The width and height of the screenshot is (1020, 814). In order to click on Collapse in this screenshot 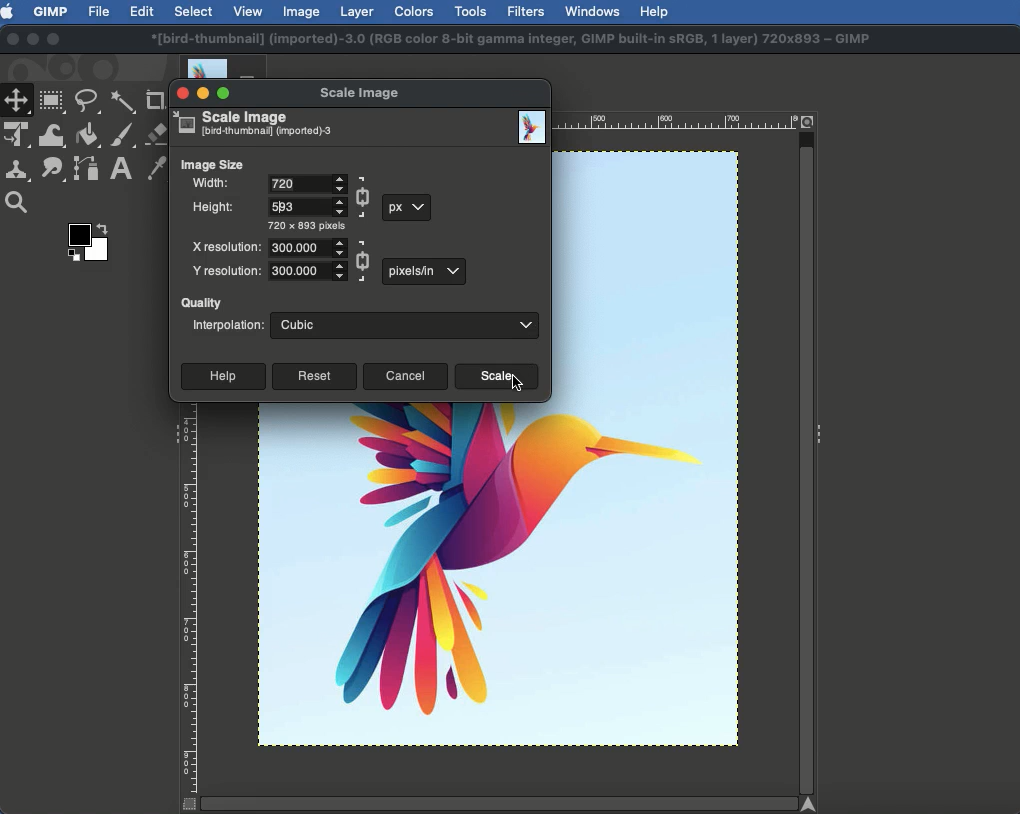, I will do `click(819, 437)`.